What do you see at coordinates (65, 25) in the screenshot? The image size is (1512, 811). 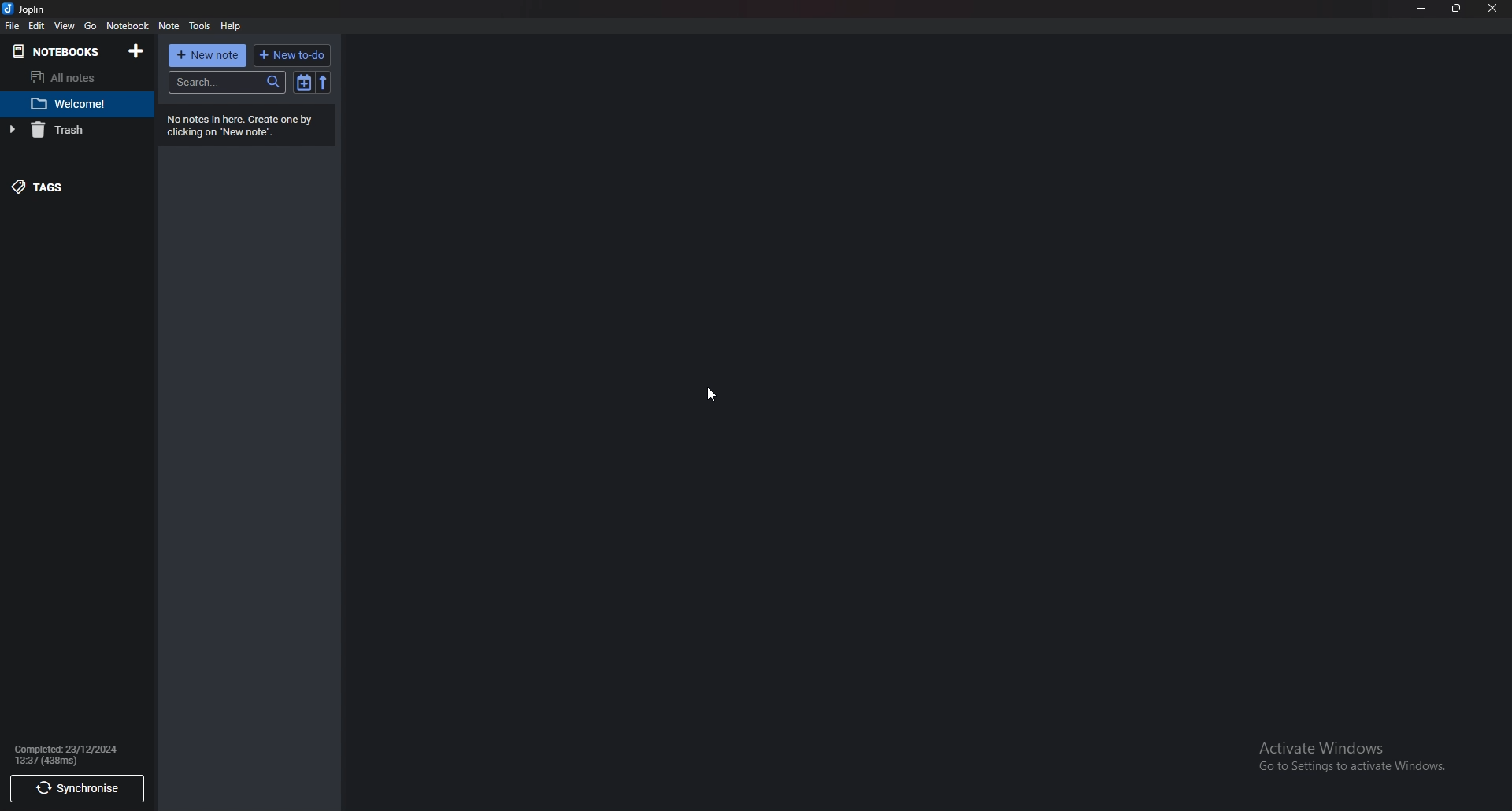 I see `View` at bounding box center [65, 25].